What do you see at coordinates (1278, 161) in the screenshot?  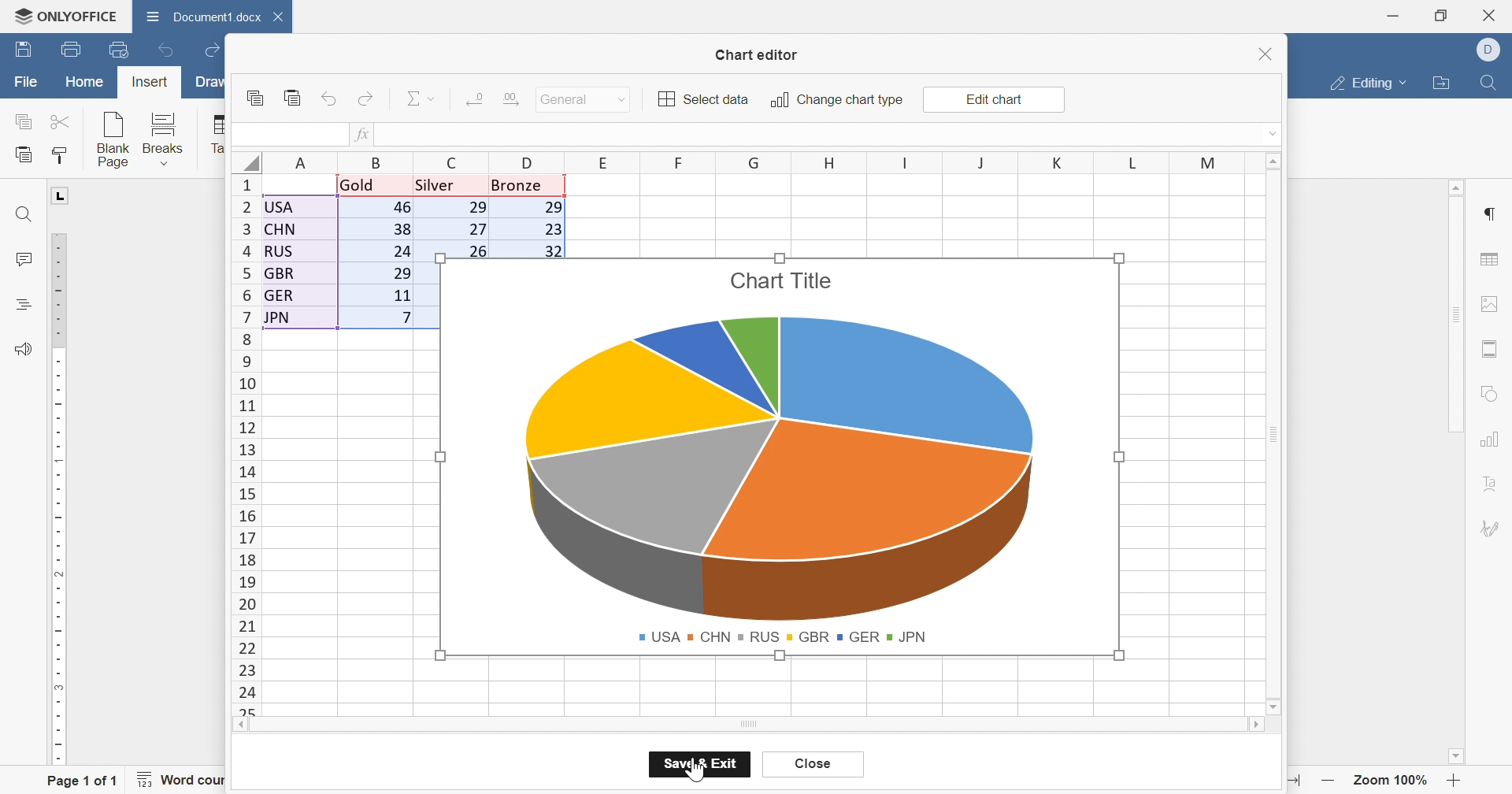 I see `Scroll up` at bounding box center [1278, 161].